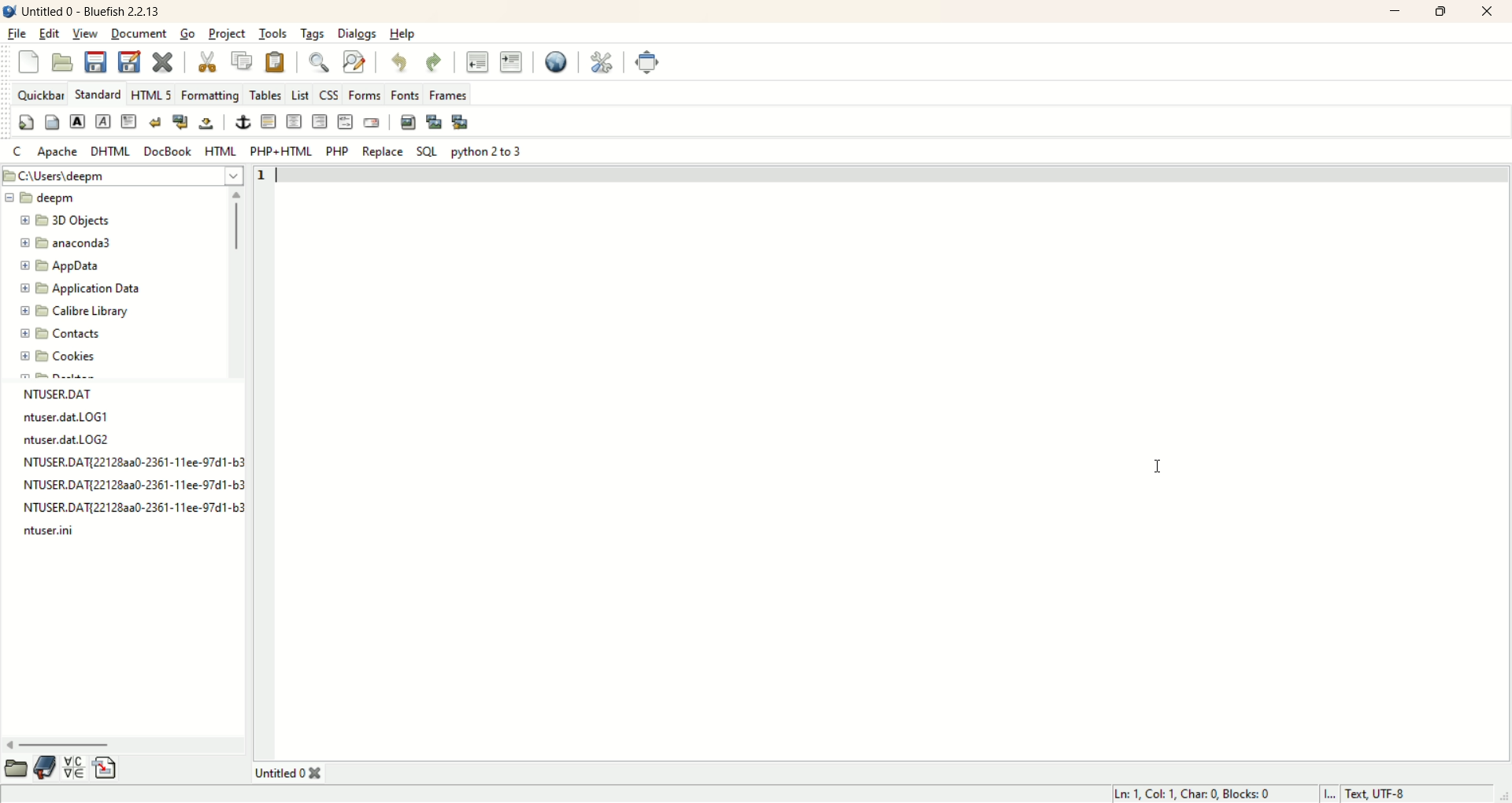 This screenshot has height=803, width=1512. What do you see at coordinates (275, 34) in the screenshot?
I see `tools` at bounding box center [275, 34].